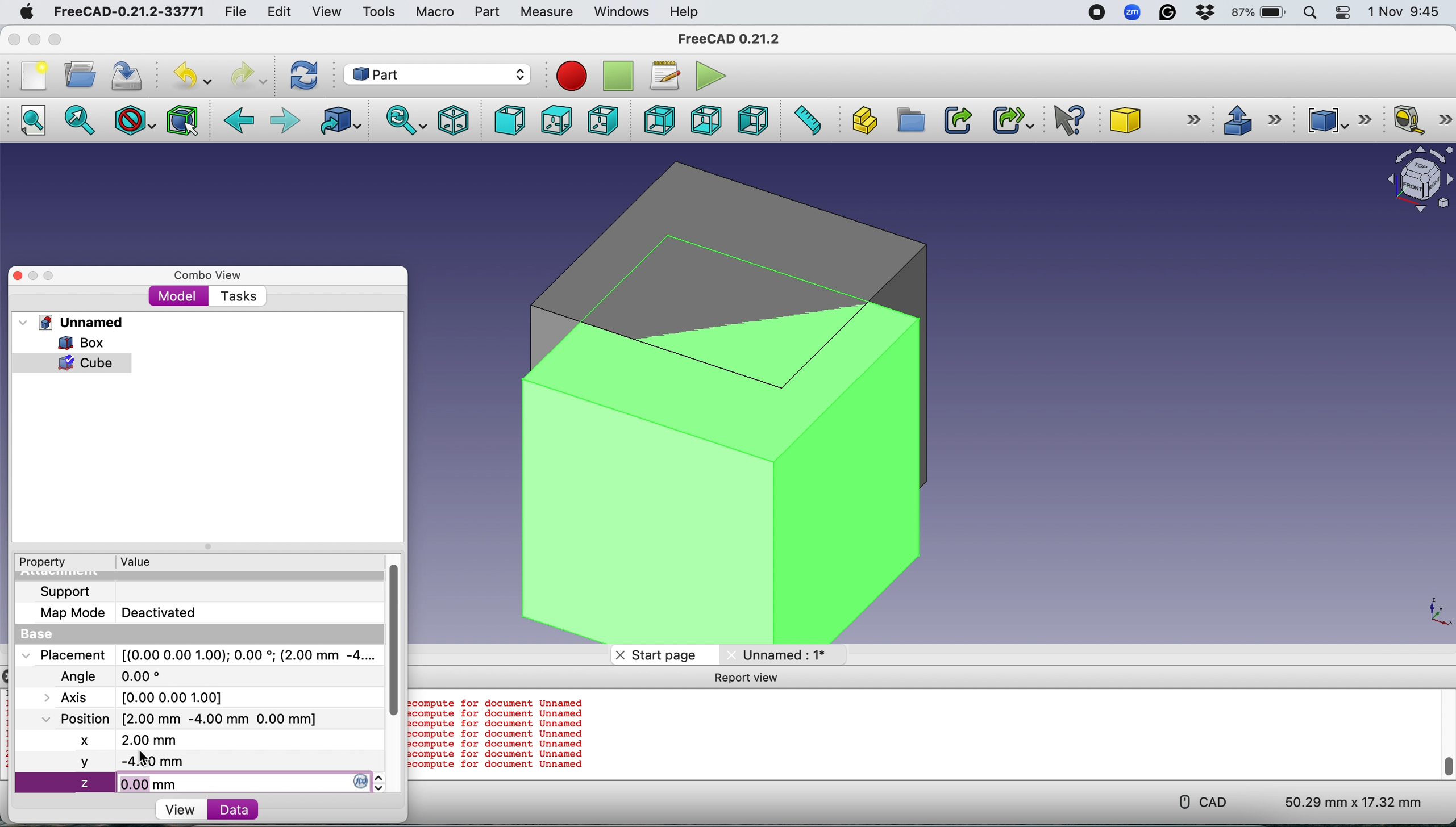 The height and width of the screenshot is (827, 1456). What do you see at coordinates (1008, 118) in the screenshot?
I see `Make sub link` at bounding box center [1008, 118].